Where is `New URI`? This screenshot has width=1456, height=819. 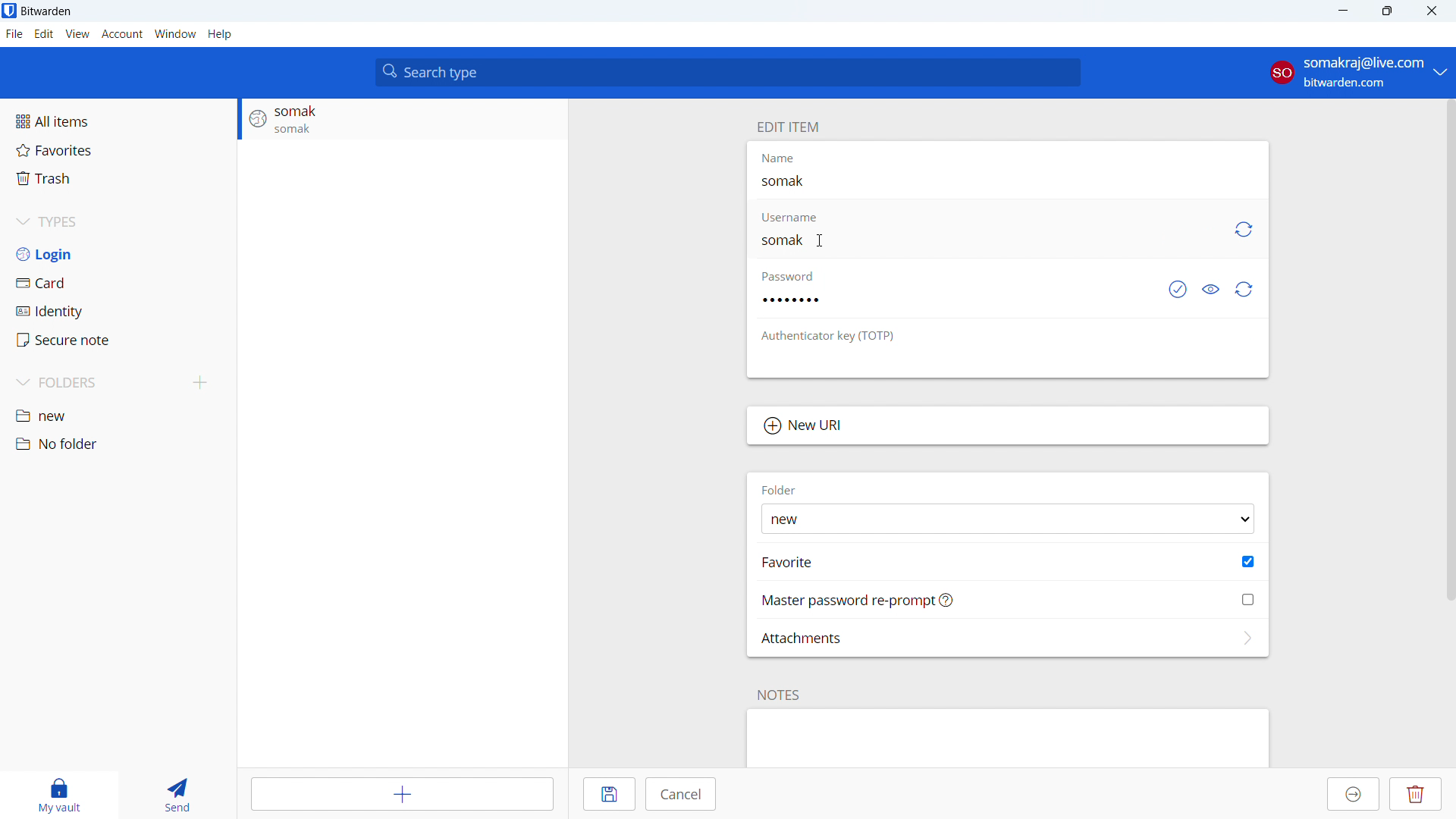
New URI is located at coordinates (1008, 426).